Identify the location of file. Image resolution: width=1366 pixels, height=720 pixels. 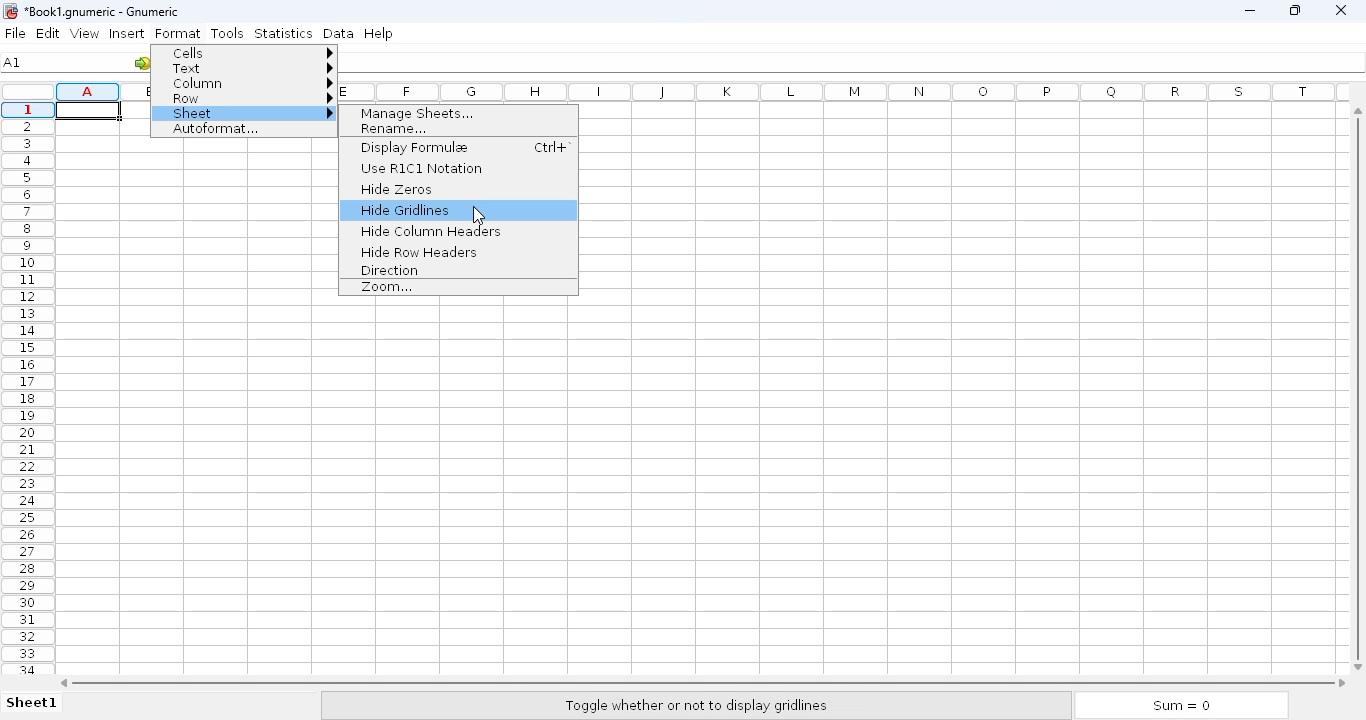
(15, 33).